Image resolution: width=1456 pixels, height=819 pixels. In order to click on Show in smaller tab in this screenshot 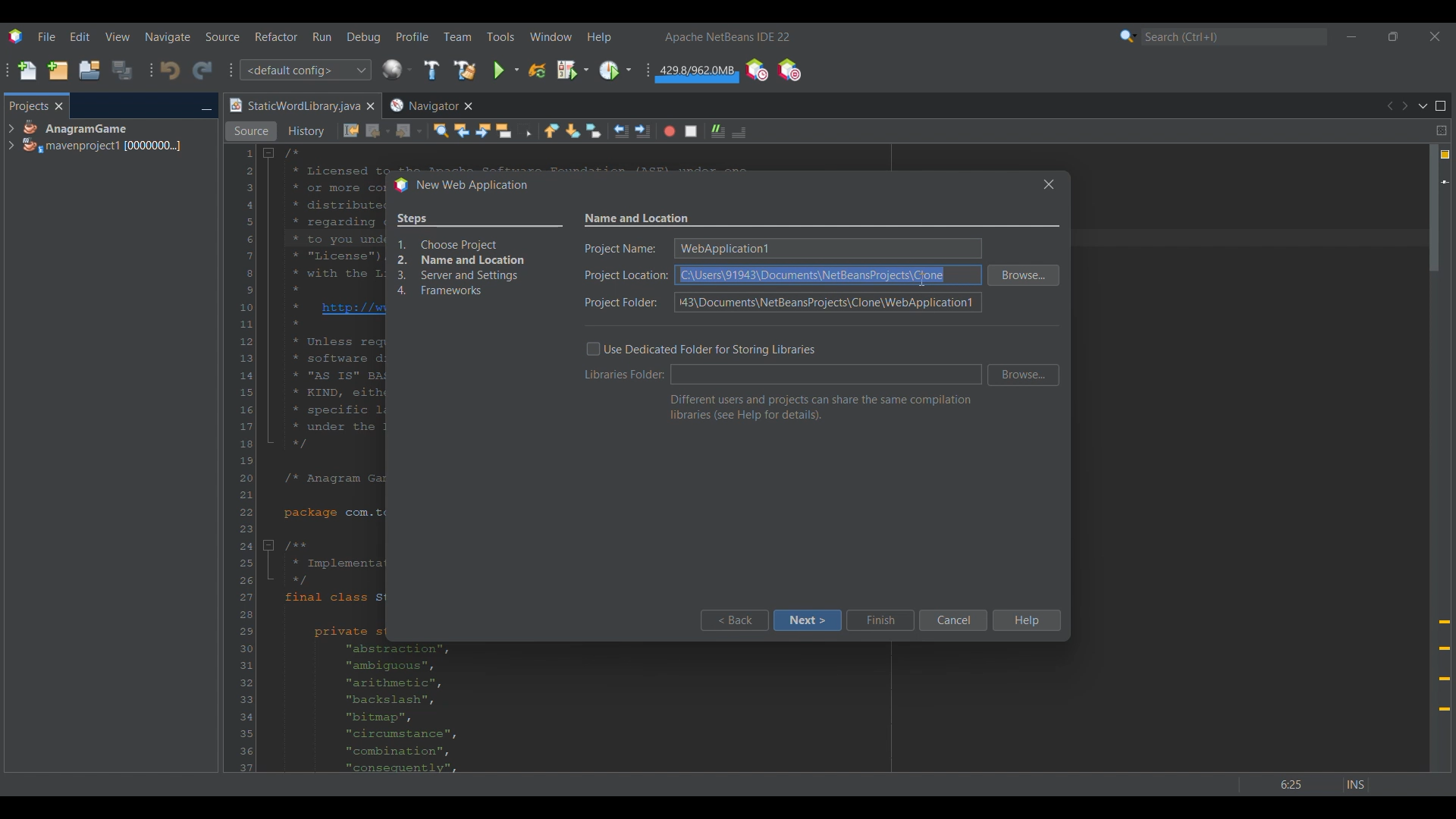, I will do `click(1393, 36)`.